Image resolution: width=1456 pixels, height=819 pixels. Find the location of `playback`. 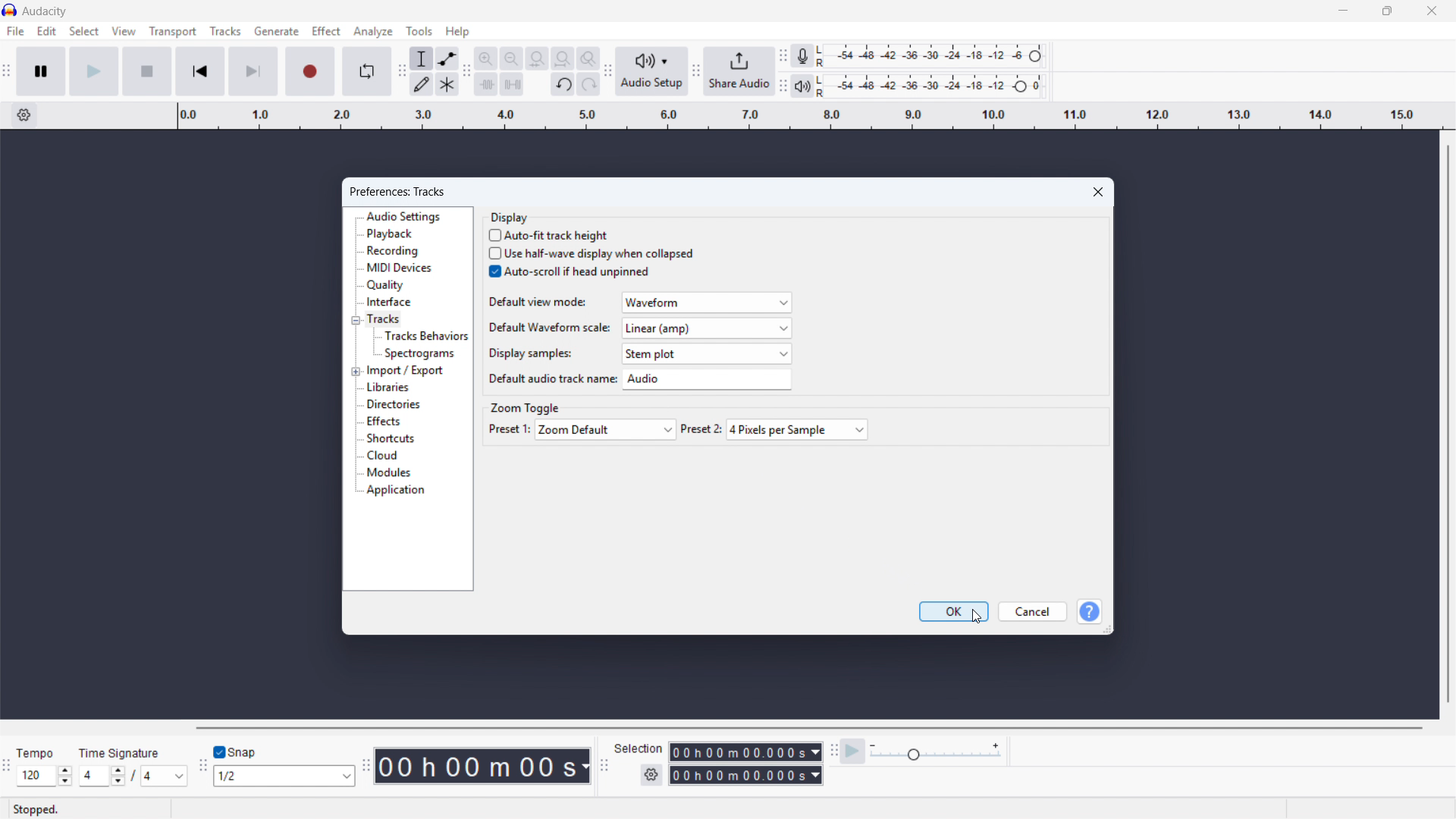

playback is located at coordinates (391, 234).